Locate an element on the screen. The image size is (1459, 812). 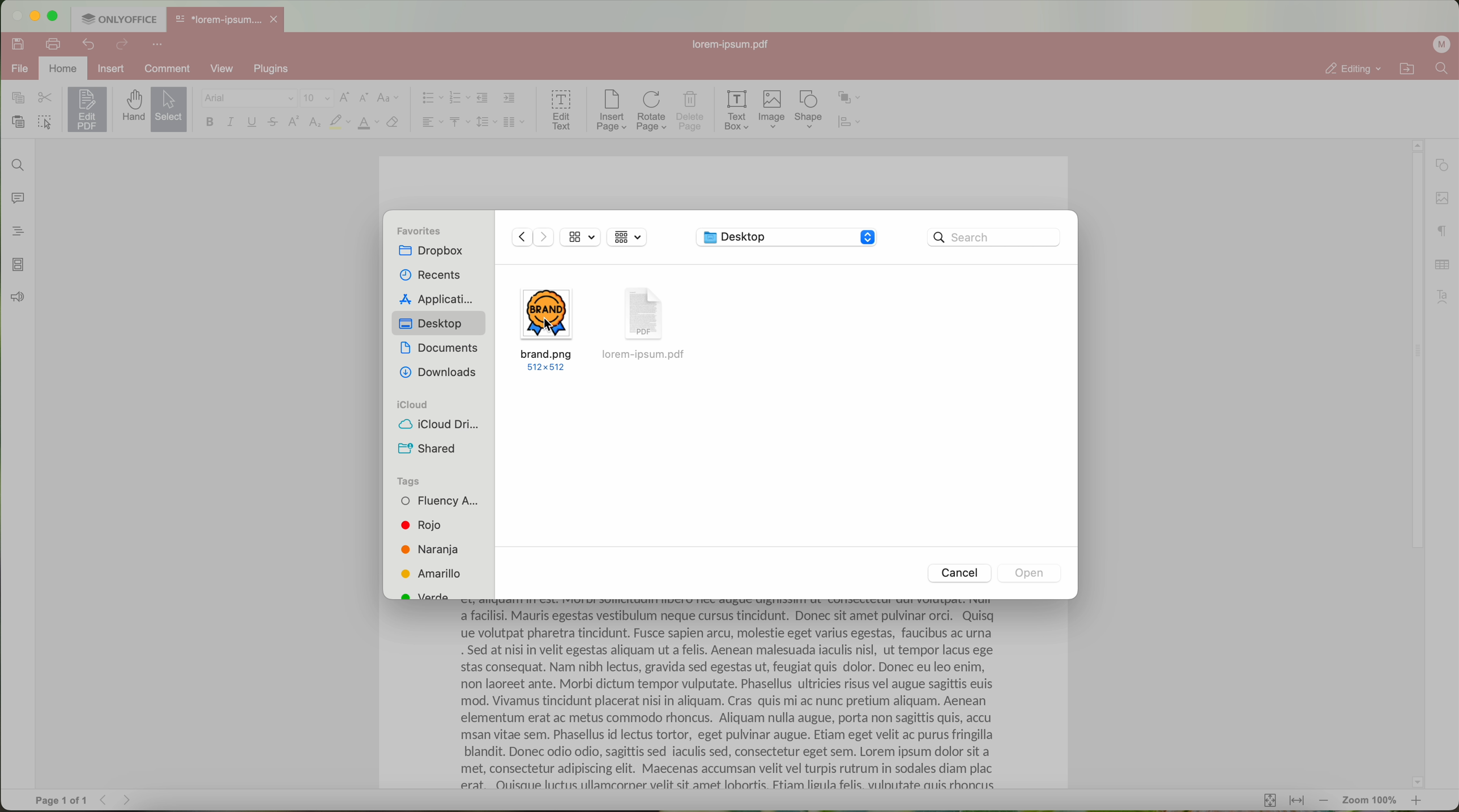
find is located at coordinates (15, 164).